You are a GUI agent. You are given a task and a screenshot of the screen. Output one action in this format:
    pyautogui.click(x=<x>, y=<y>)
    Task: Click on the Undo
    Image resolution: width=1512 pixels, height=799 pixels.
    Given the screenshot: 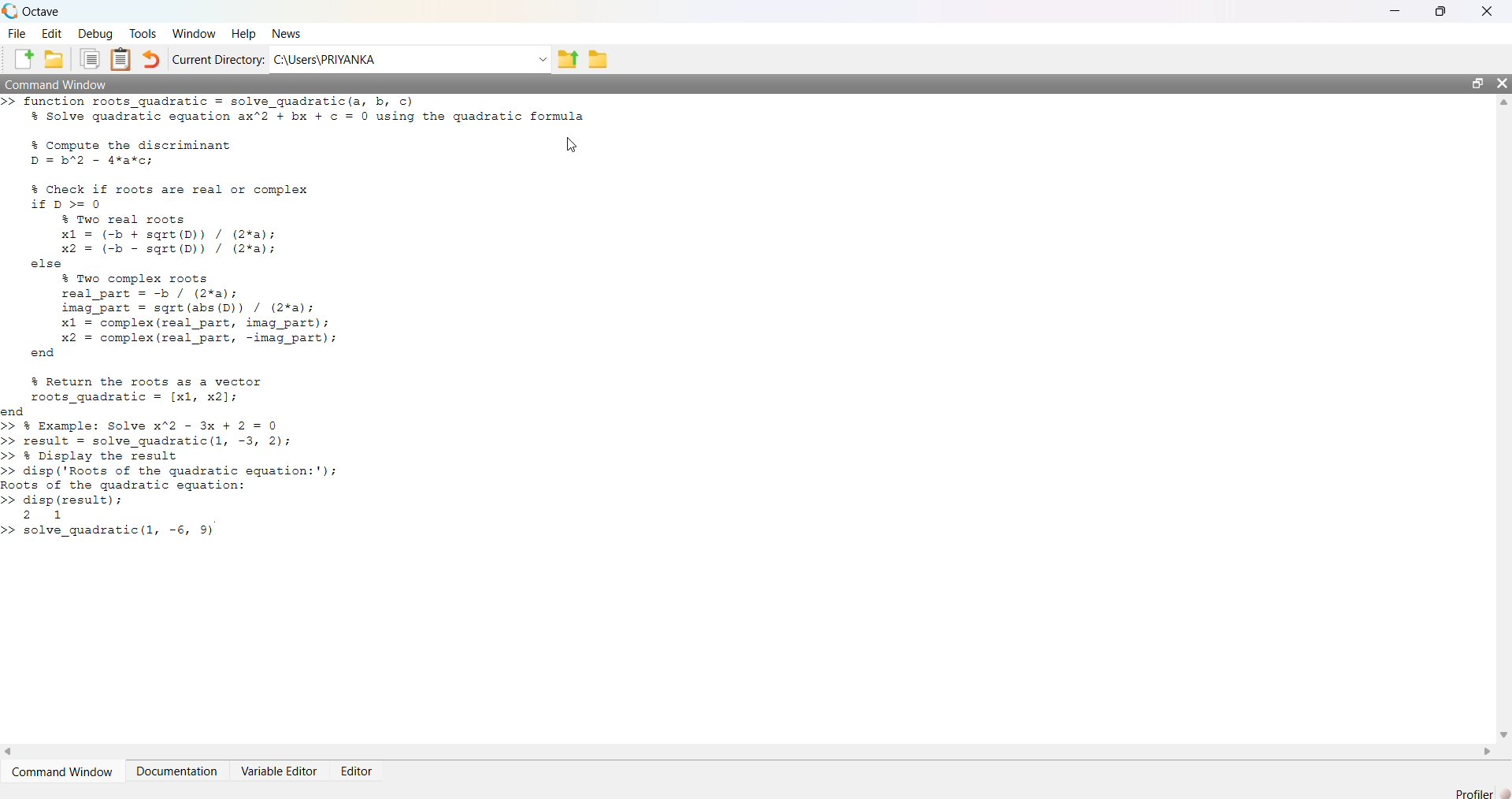 What is the action you would take?
    pyautogui.click(x=152, y=60)
    